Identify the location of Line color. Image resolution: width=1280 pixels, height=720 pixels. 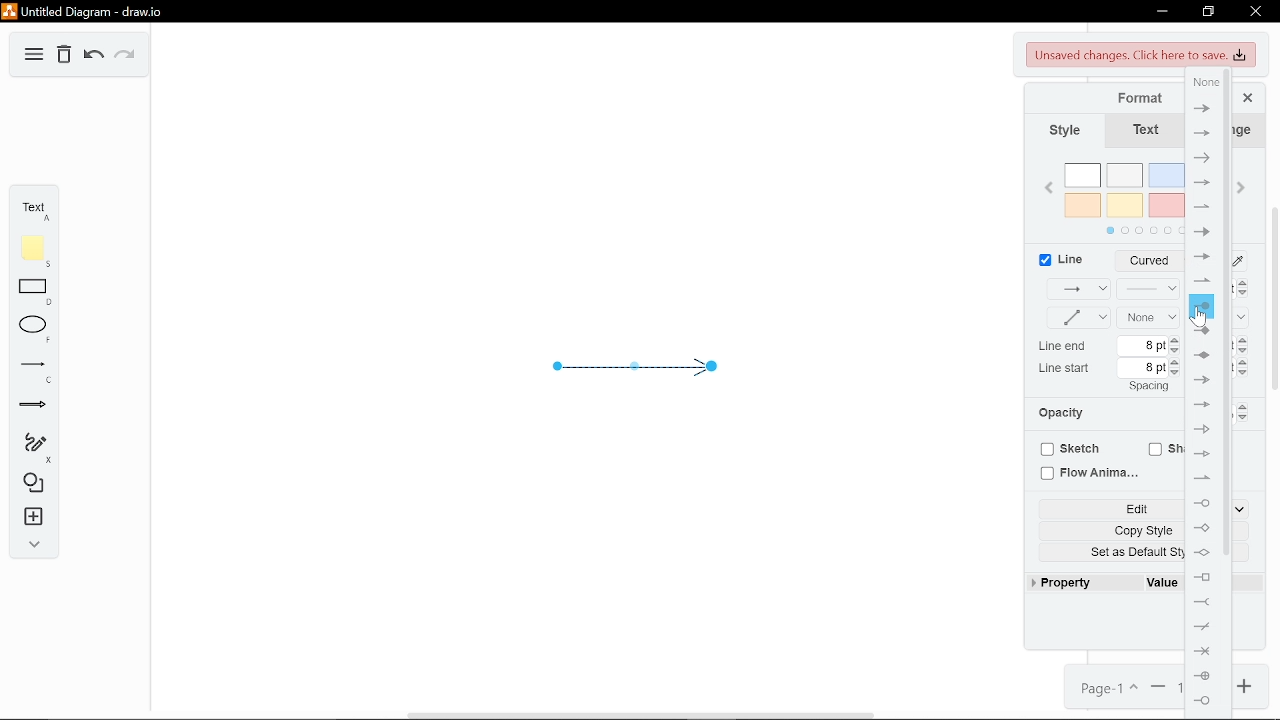
(1239, 261).